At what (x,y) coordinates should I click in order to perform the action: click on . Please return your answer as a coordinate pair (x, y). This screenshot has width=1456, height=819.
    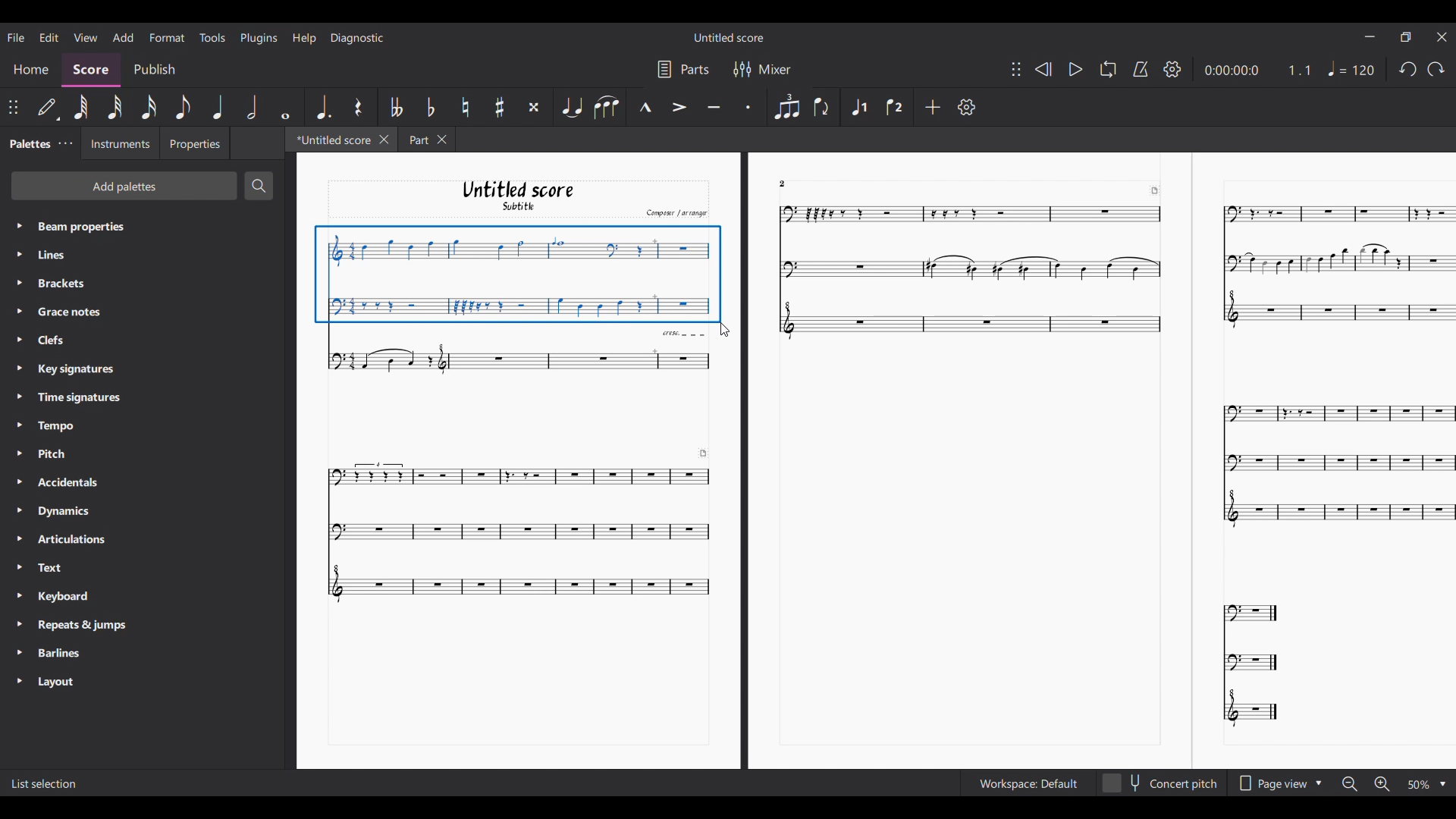
    Looking at the image, I should click on (16, 598).